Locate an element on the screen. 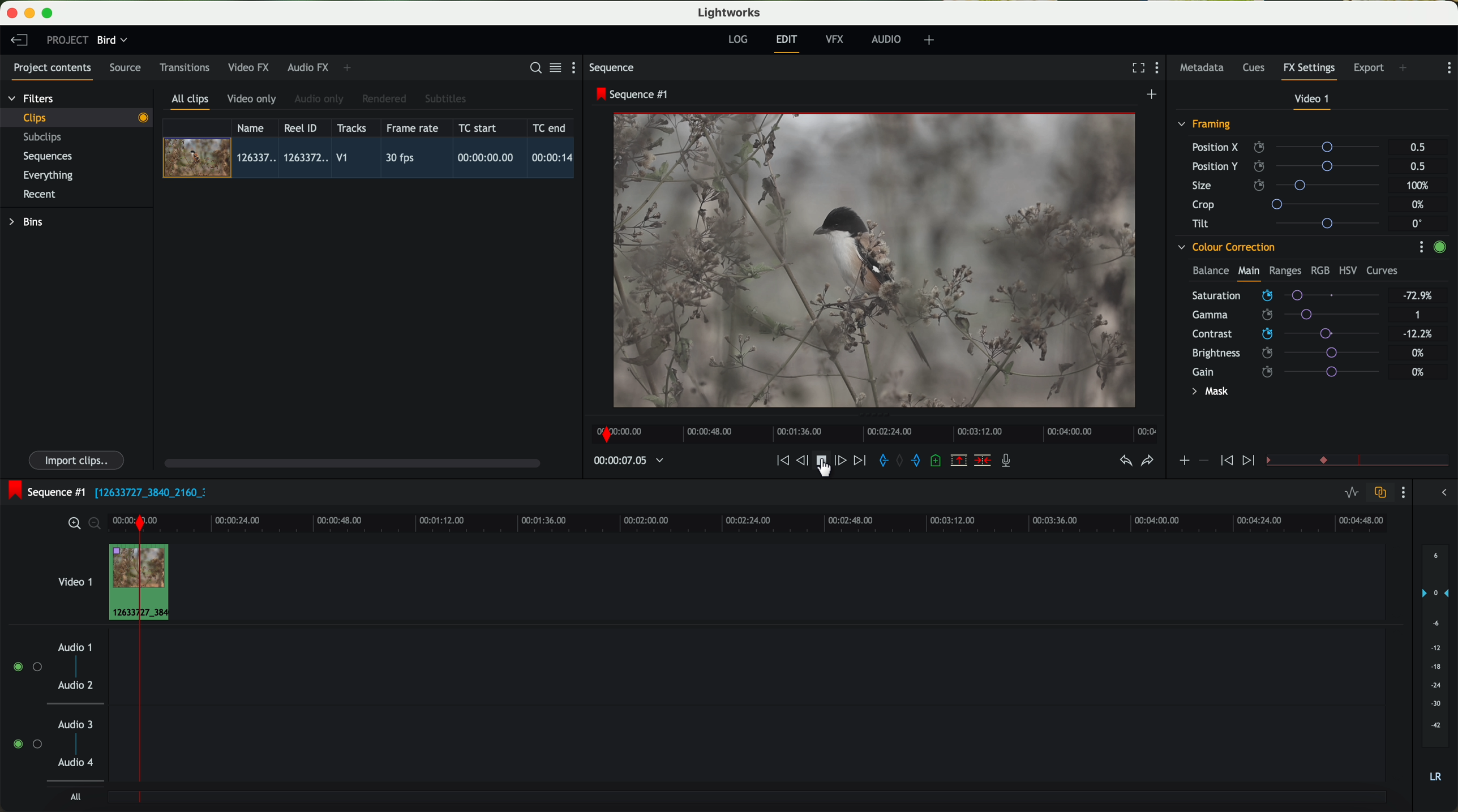  bins is located at coordinates (28, 222).